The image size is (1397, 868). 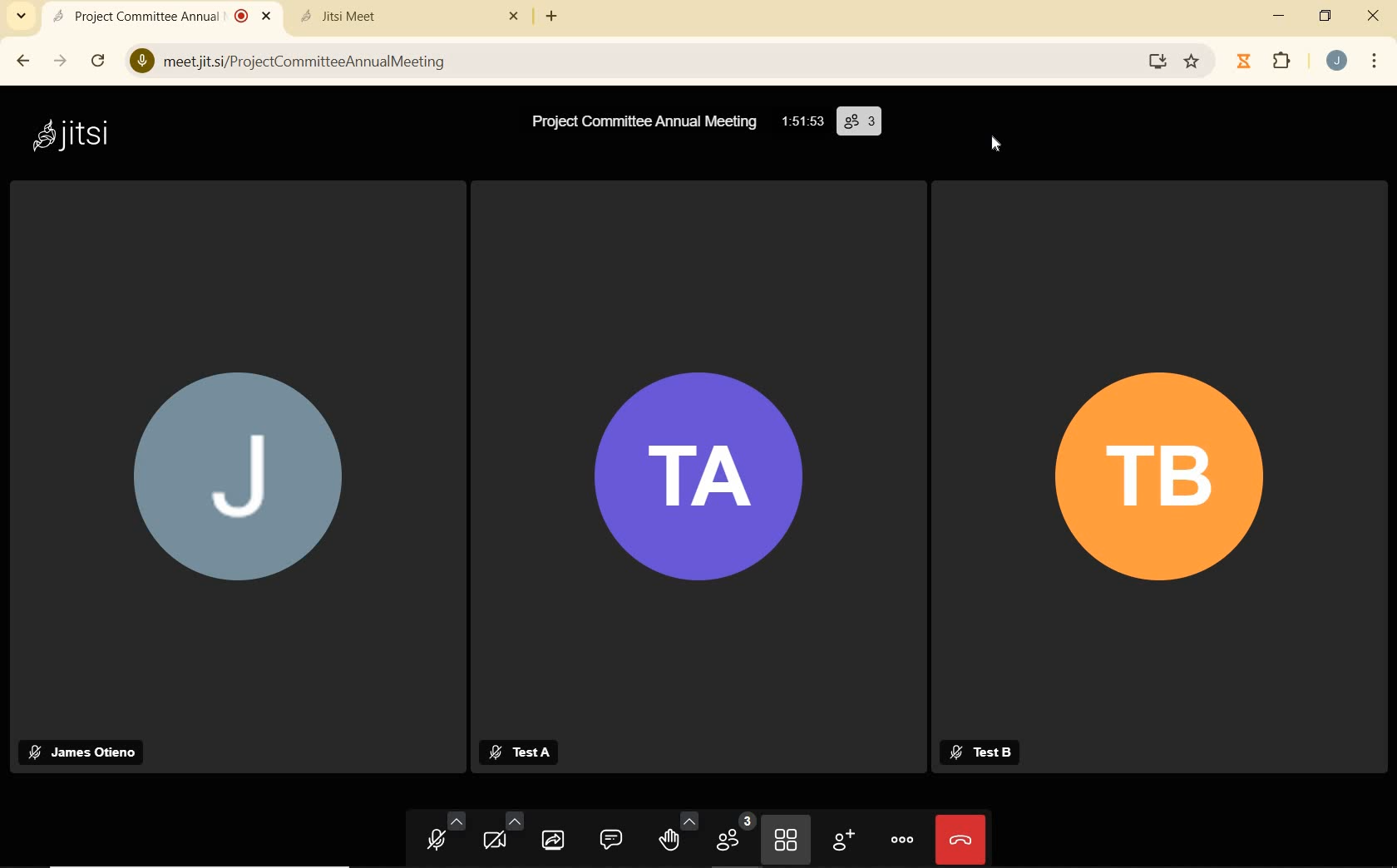 What do you see at coordinates (86, 751) in the screenshot?
I see `participant's name` at bounding box center [86, 751].